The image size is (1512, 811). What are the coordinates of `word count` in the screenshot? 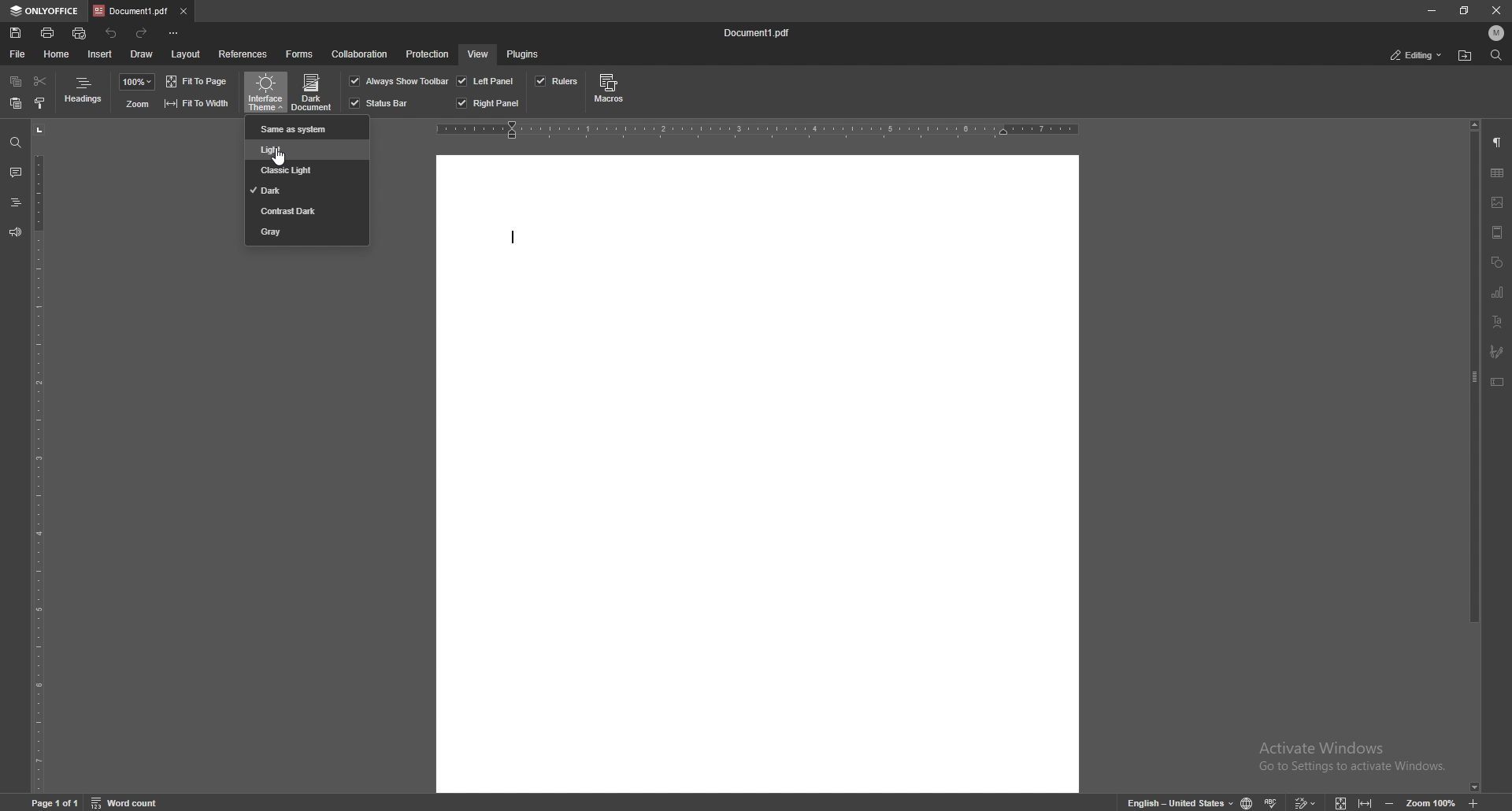 It's located at (128, 802).